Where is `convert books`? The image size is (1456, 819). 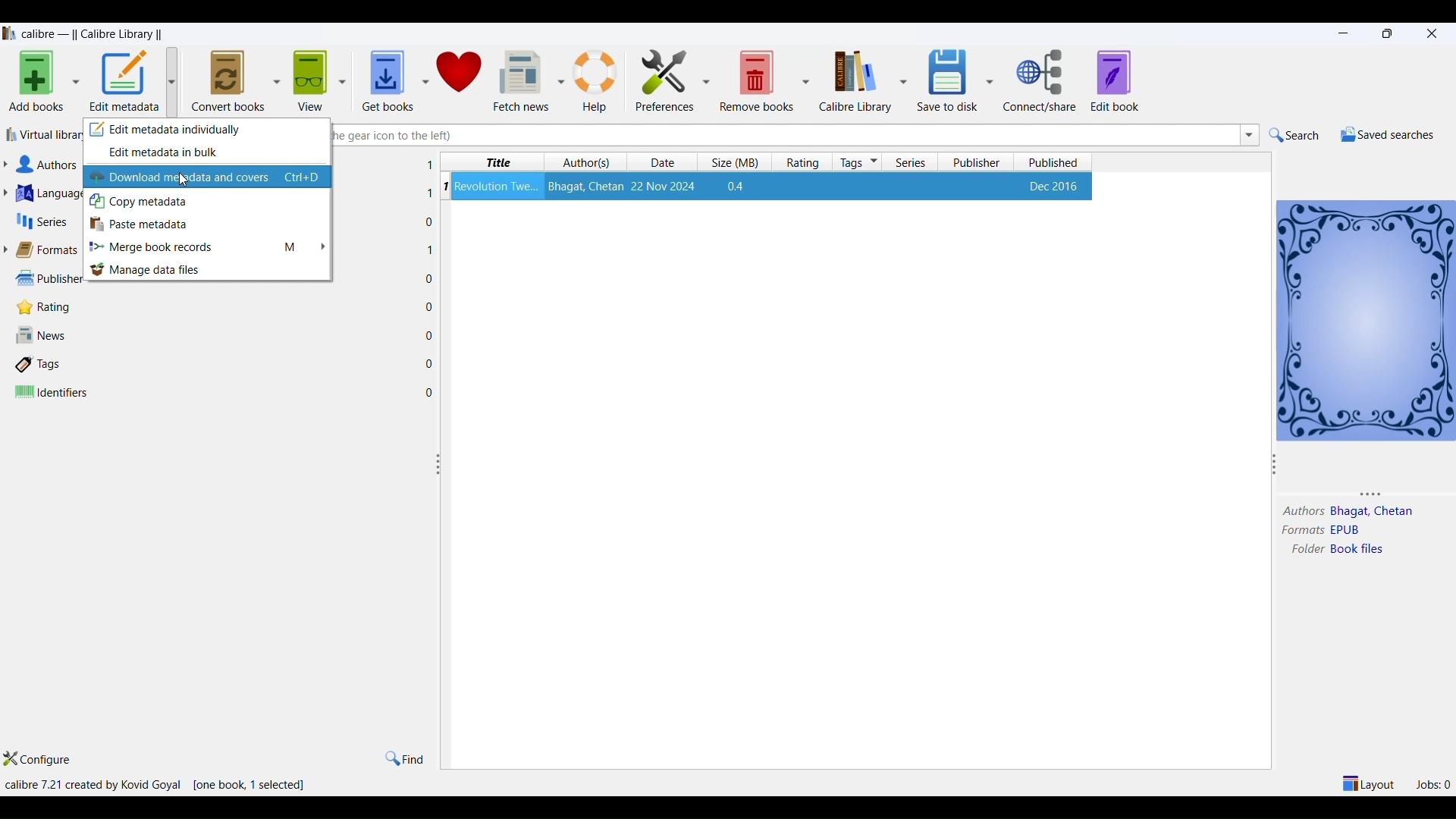 convert books is located at coordinates (227, 78).